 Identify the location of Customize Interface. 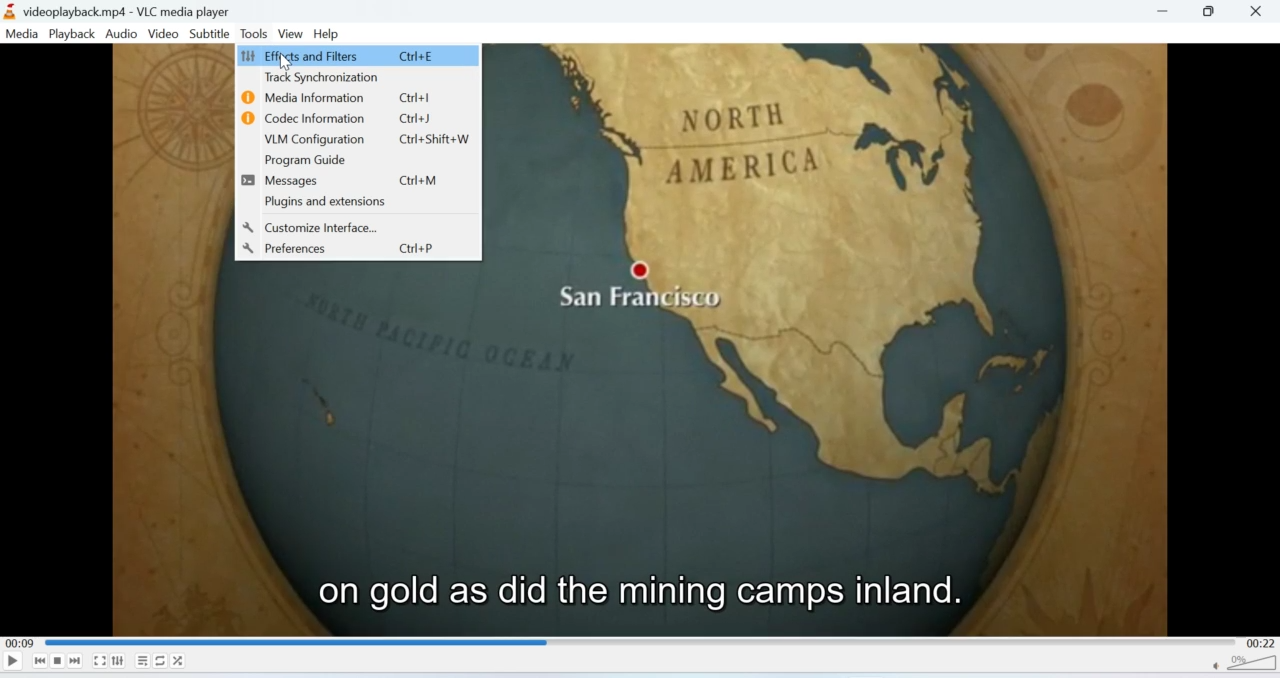
(321, 228).